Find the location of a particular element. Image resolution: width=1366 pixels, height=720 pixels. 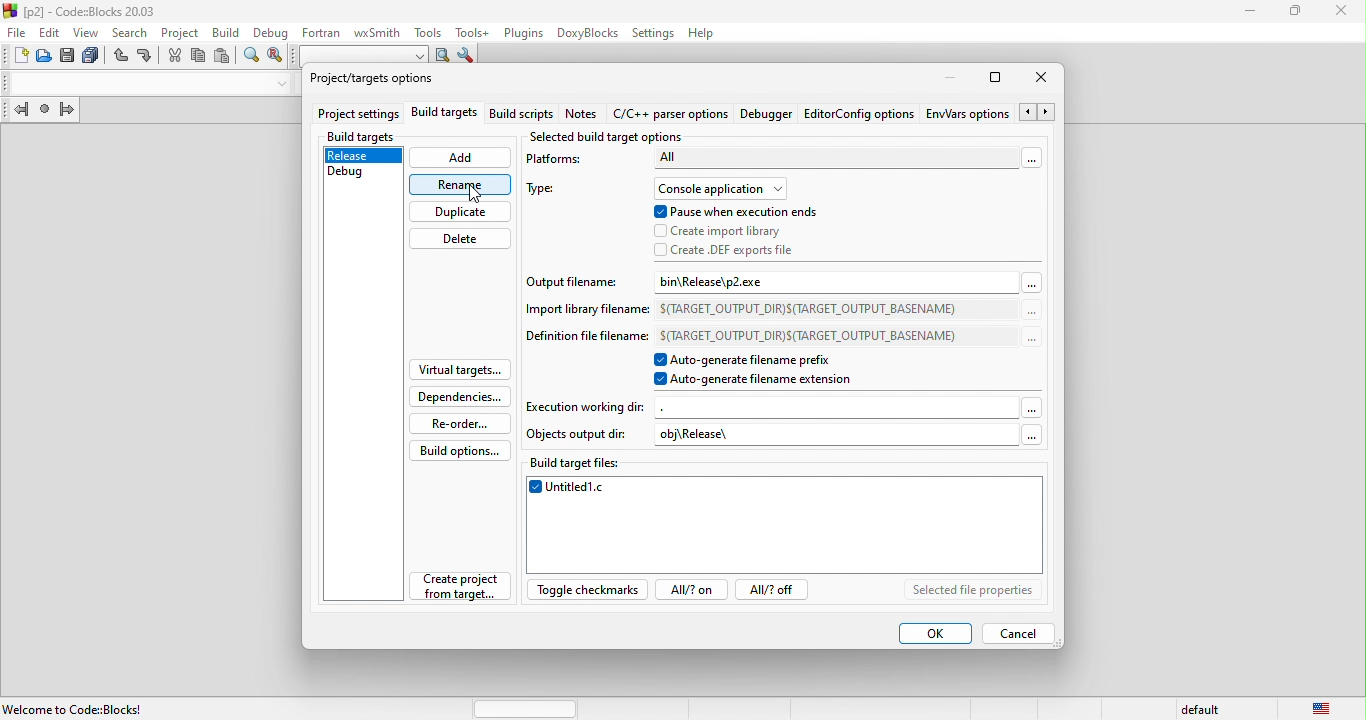

view is located at coordinates (89, 32).